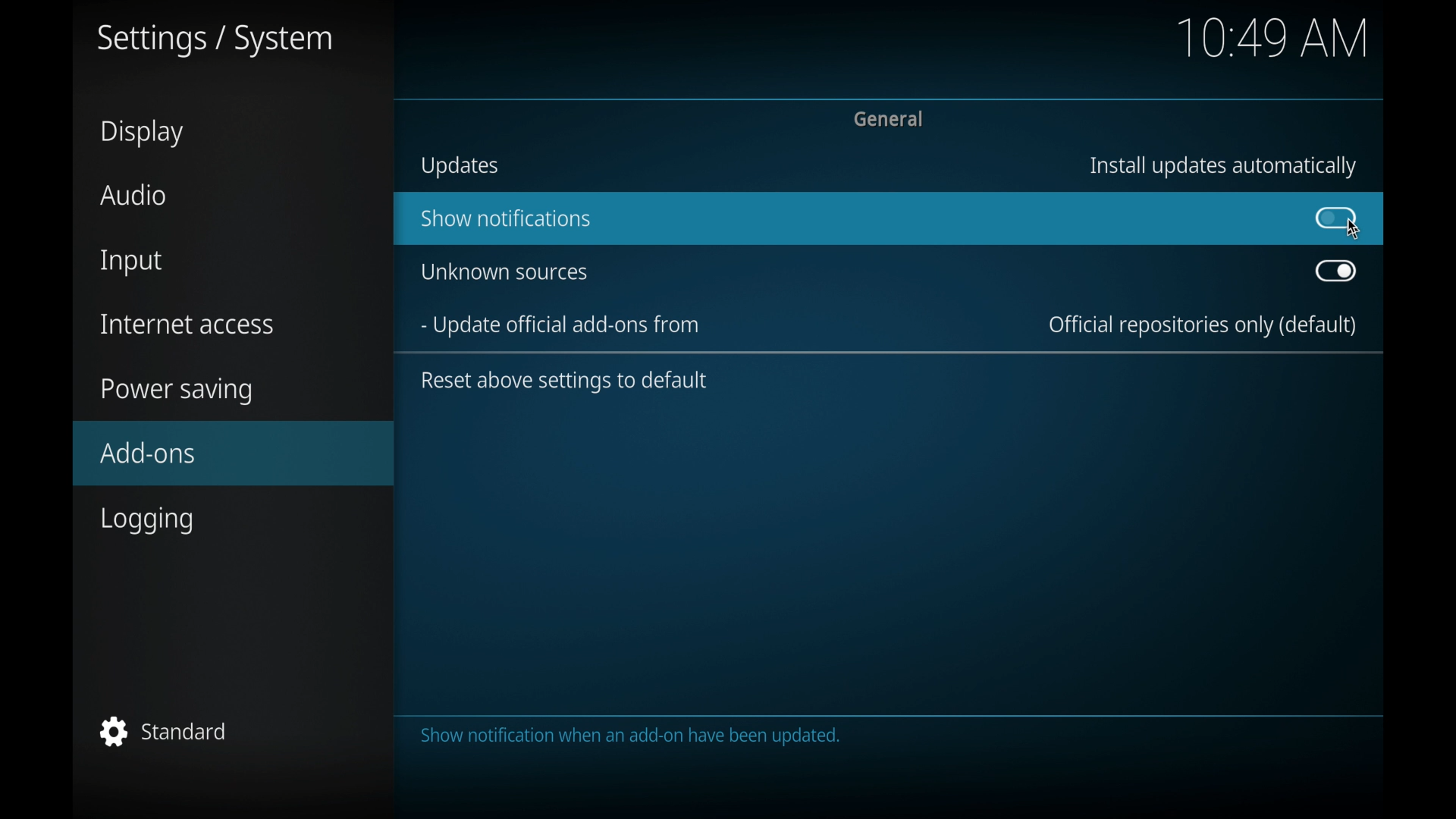 The image size is (1456, 819). Describe the element at coordinates (891, 119) in the screenshot. I see `general` at that location.